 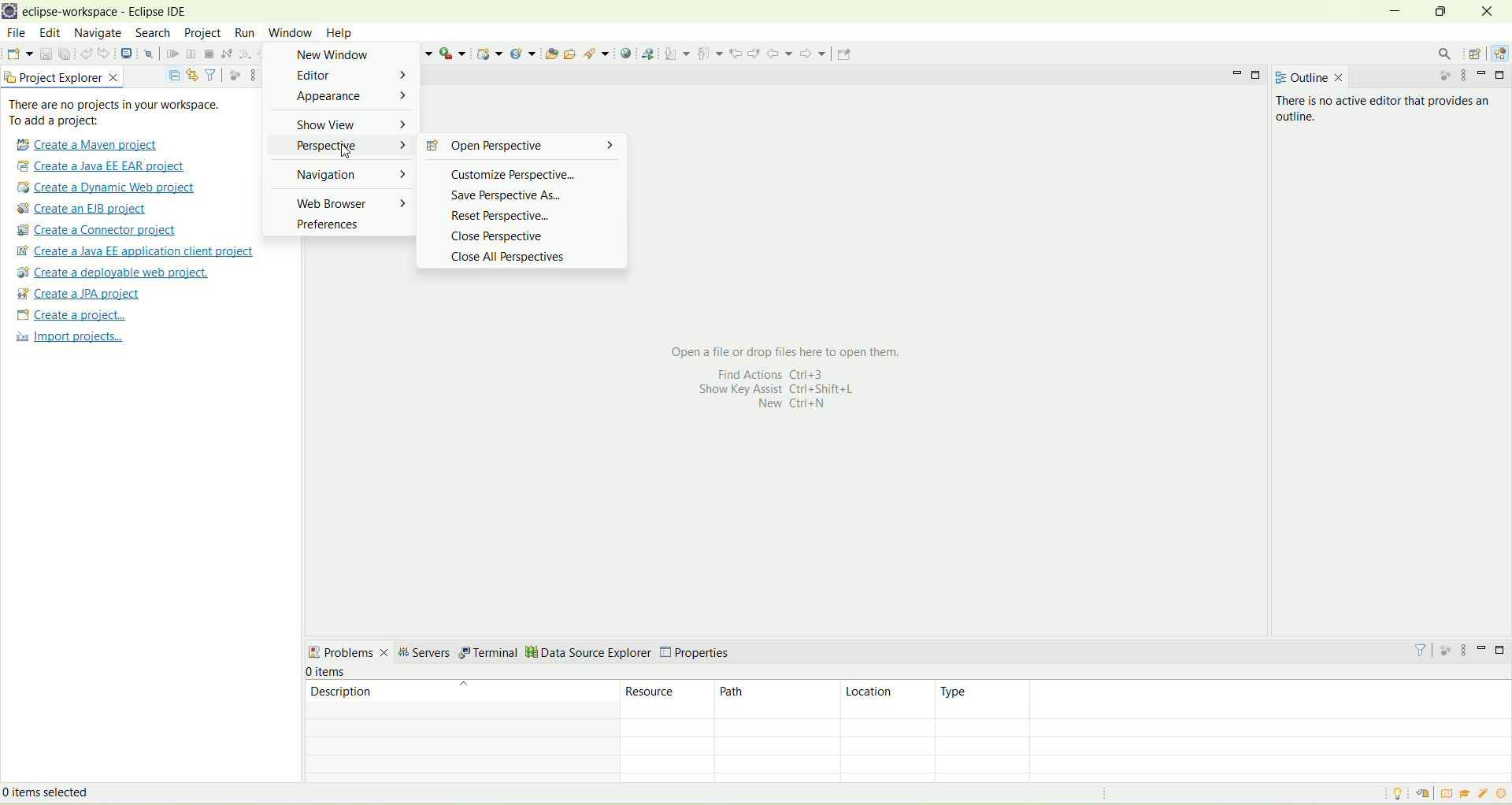 What do you see at coordinates (624, 53) in the screenshot?
I see `open web browser` at bounding box center [624, 53].